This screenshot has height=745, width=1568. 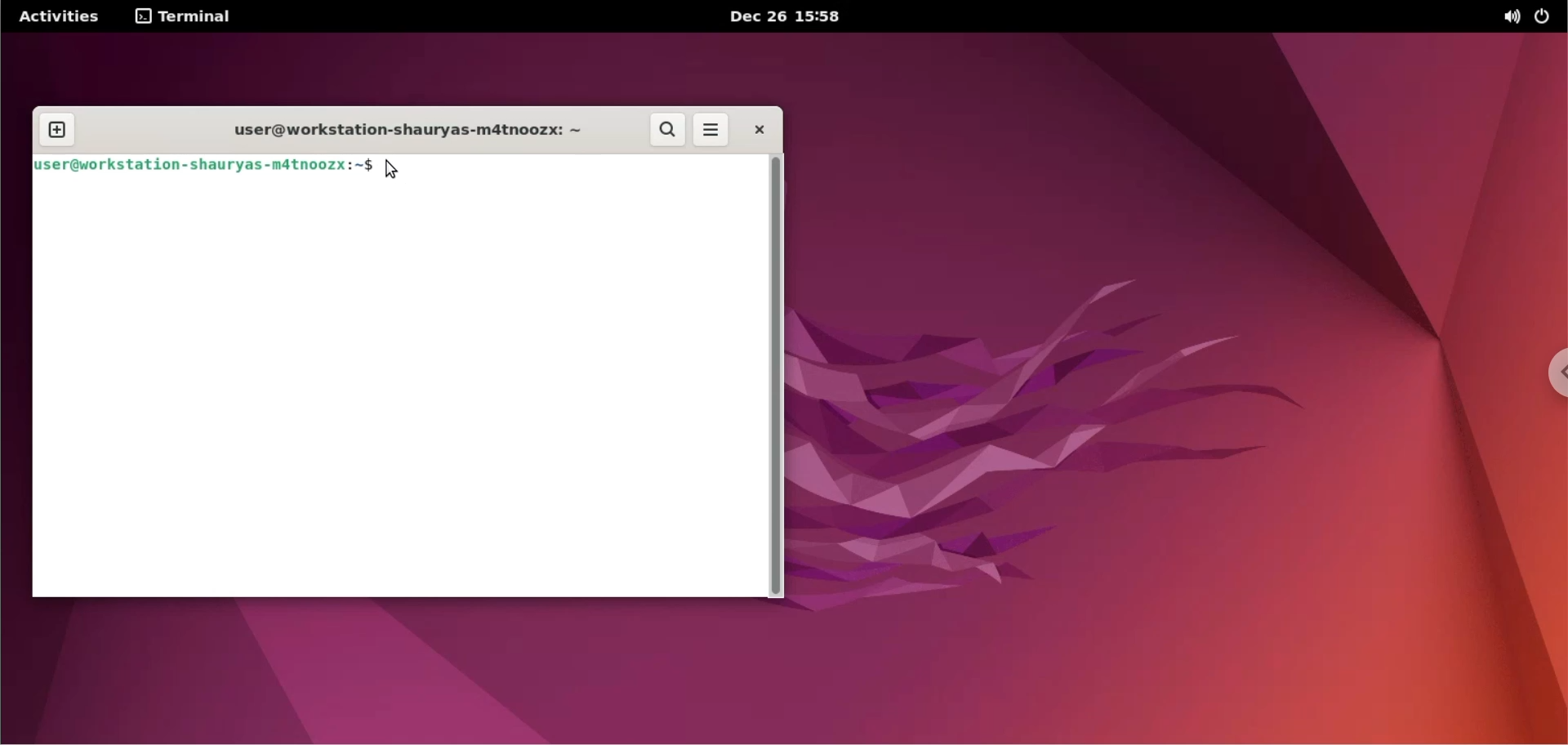 I want to click on power options, so click(x=1548, y=15).